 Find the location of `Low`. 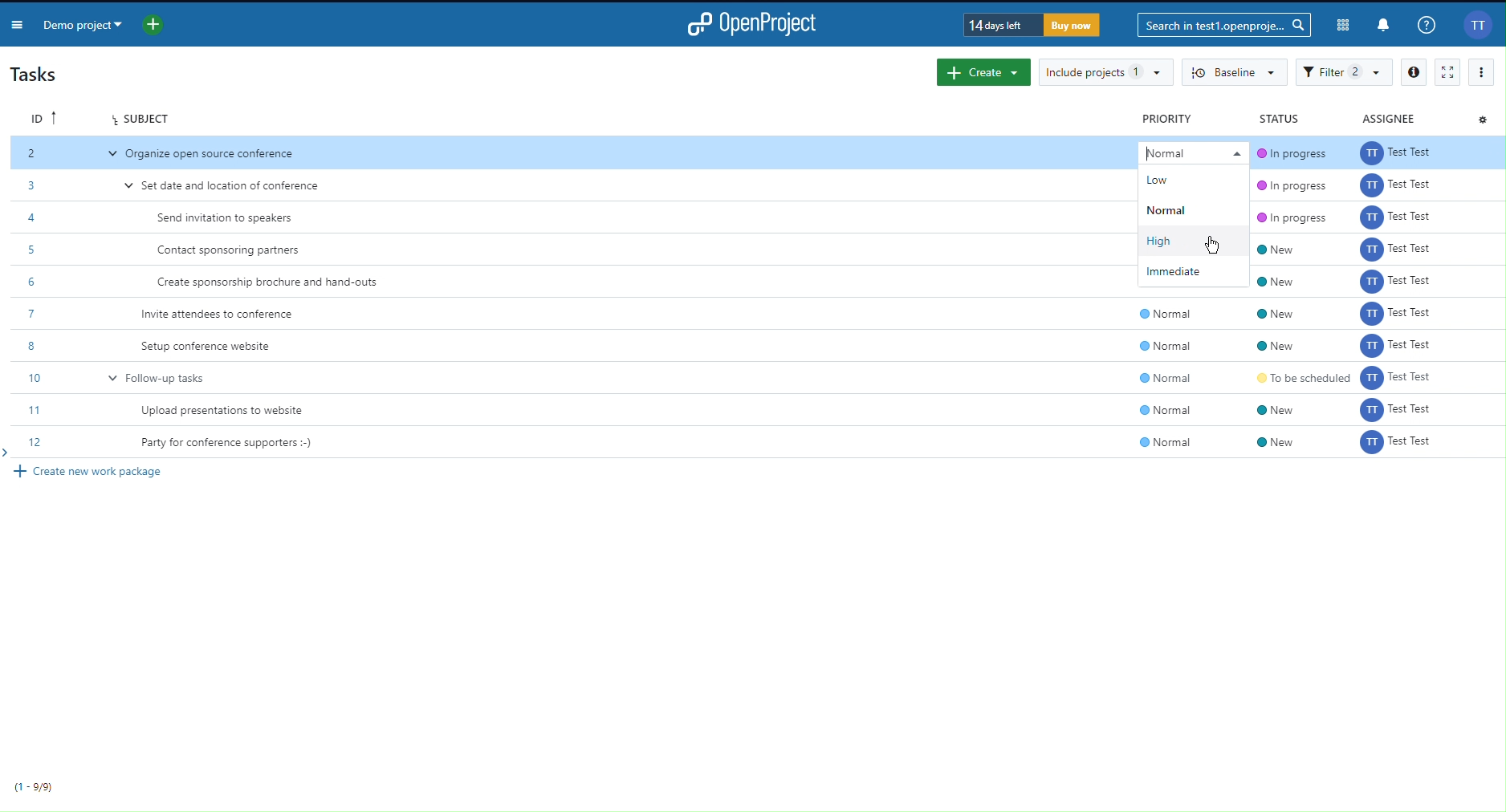

Low is located at coordinates (1162, 181).